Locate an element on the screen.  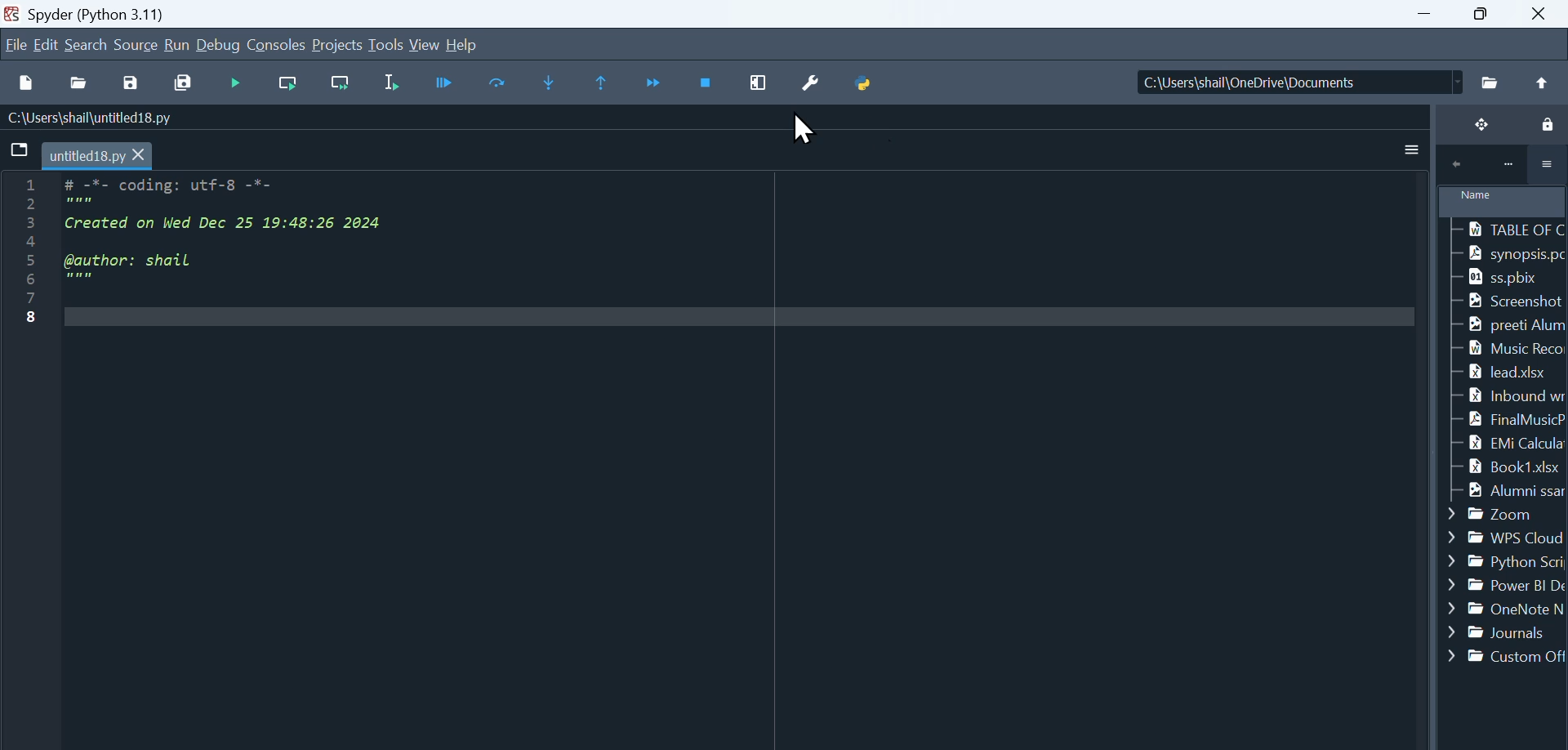
C:\users\shail\untitled18.py is located at coordinates (90, 116).